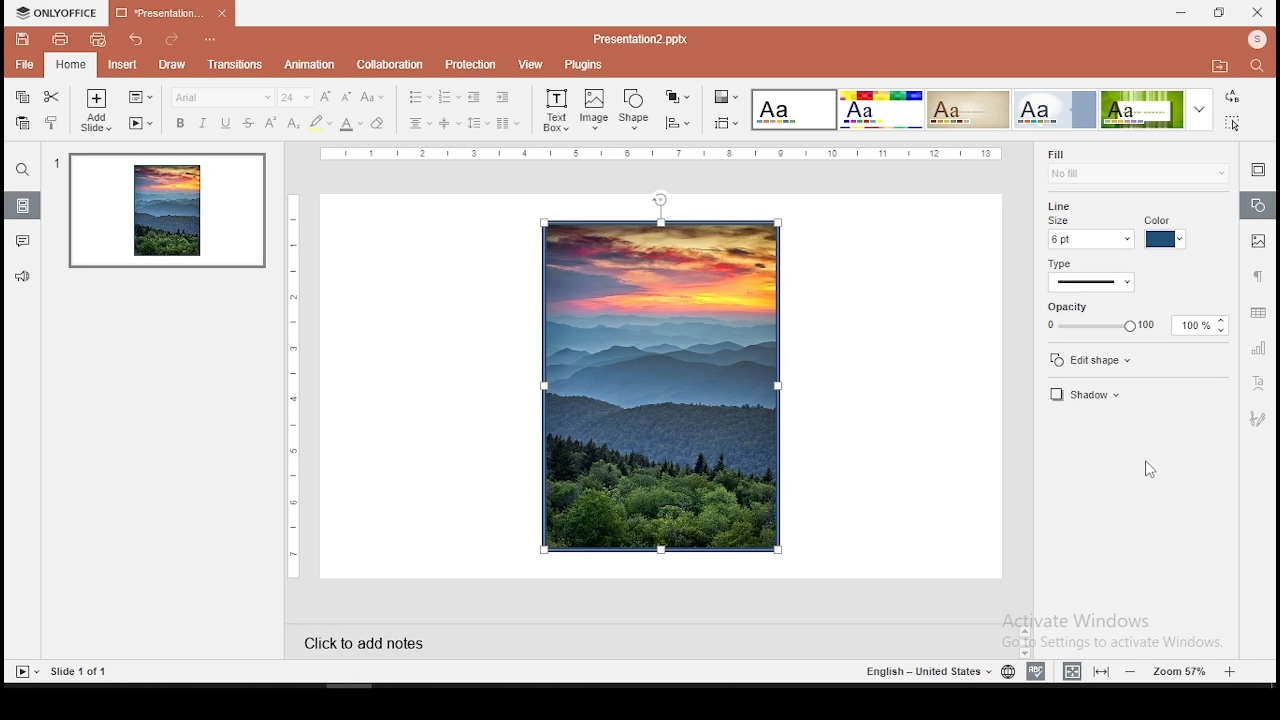 This screenshot has height=720, width=1280. I want to click on slides, so click(23, 205).